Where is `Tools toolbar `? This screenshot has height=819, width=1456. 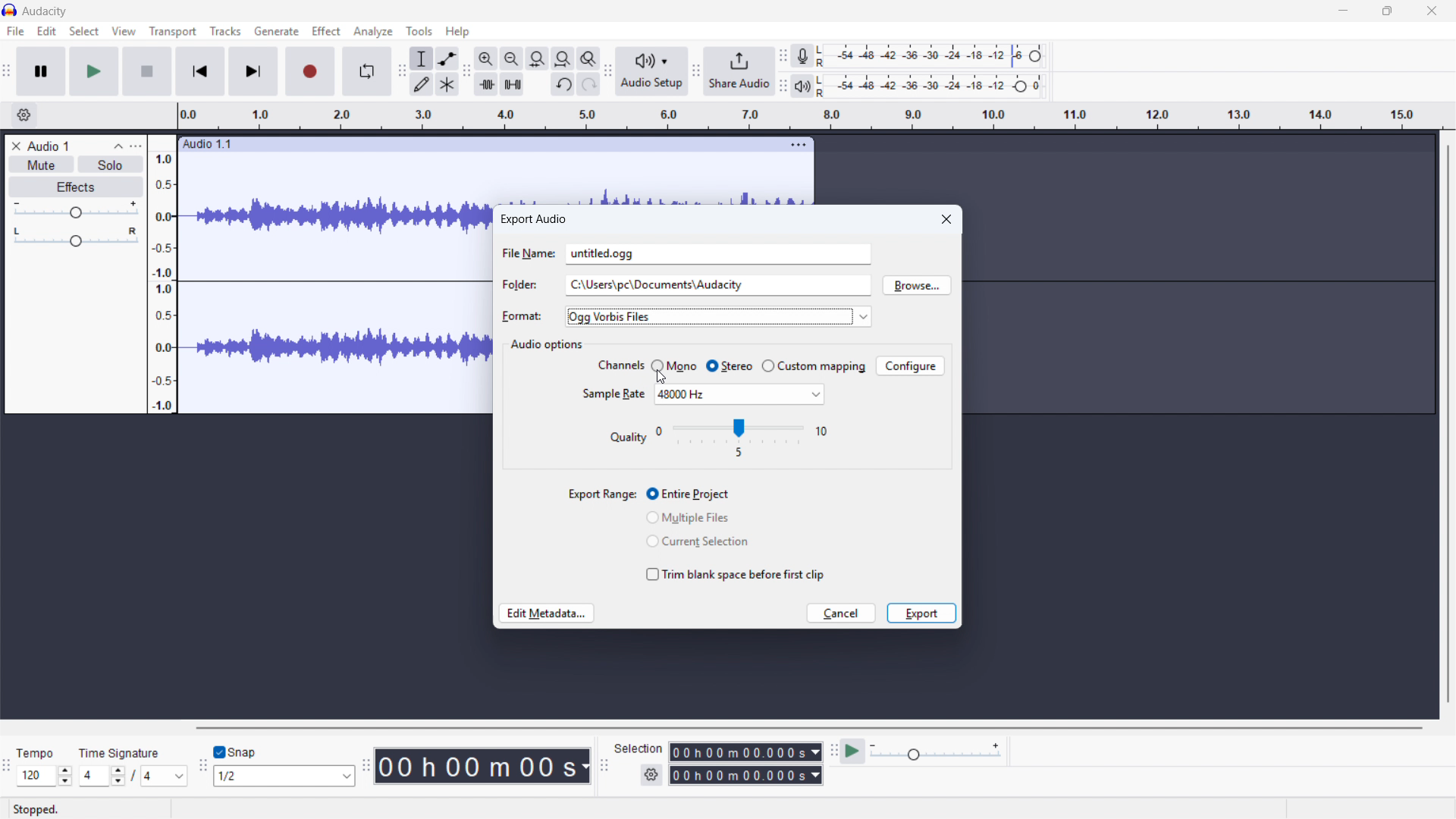 Tools toolbar  is located at coordinates (401, 71).